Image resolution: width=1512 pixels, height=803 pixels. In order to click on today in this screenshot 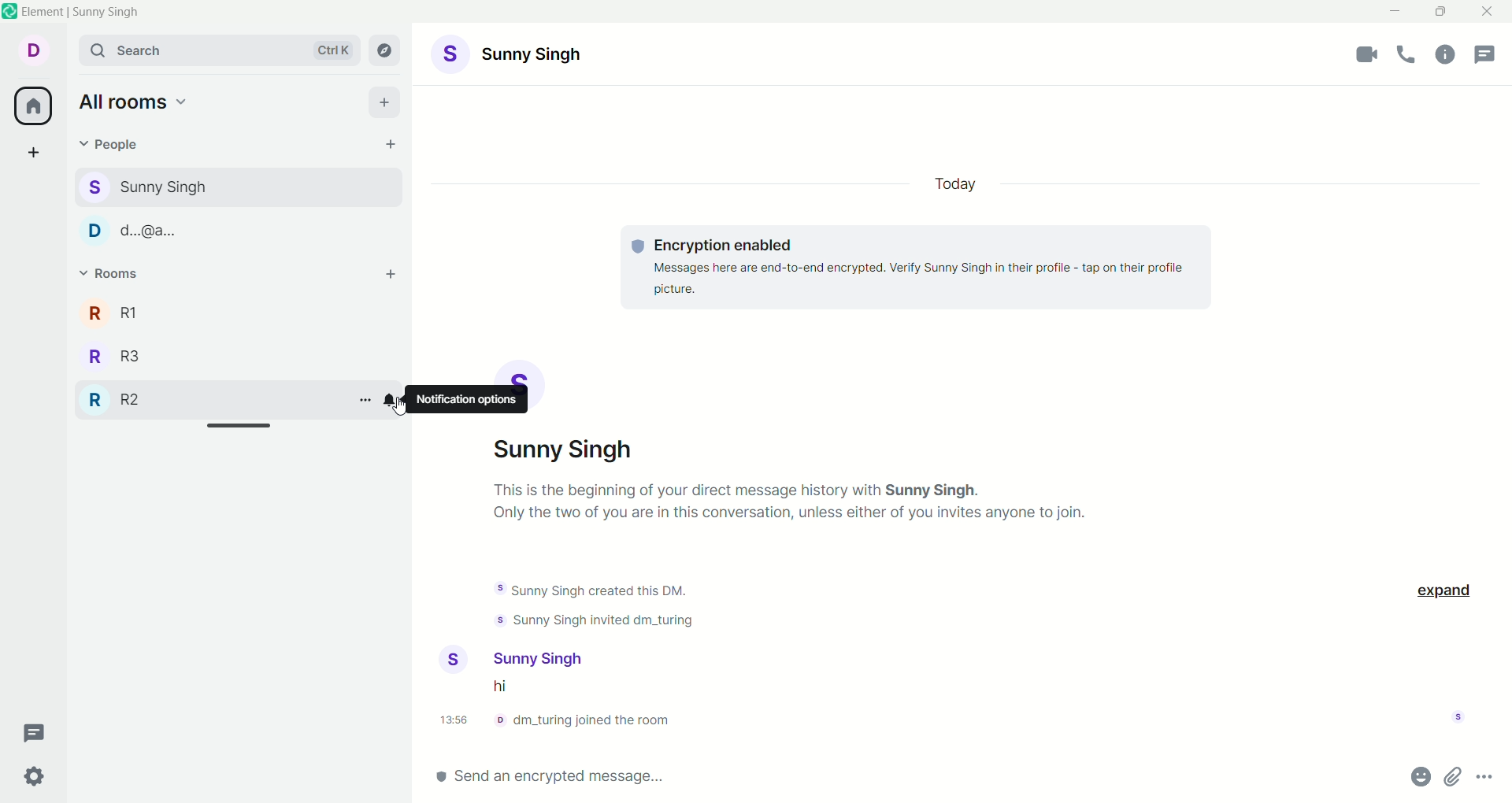, I will do `click(962, 186)`.